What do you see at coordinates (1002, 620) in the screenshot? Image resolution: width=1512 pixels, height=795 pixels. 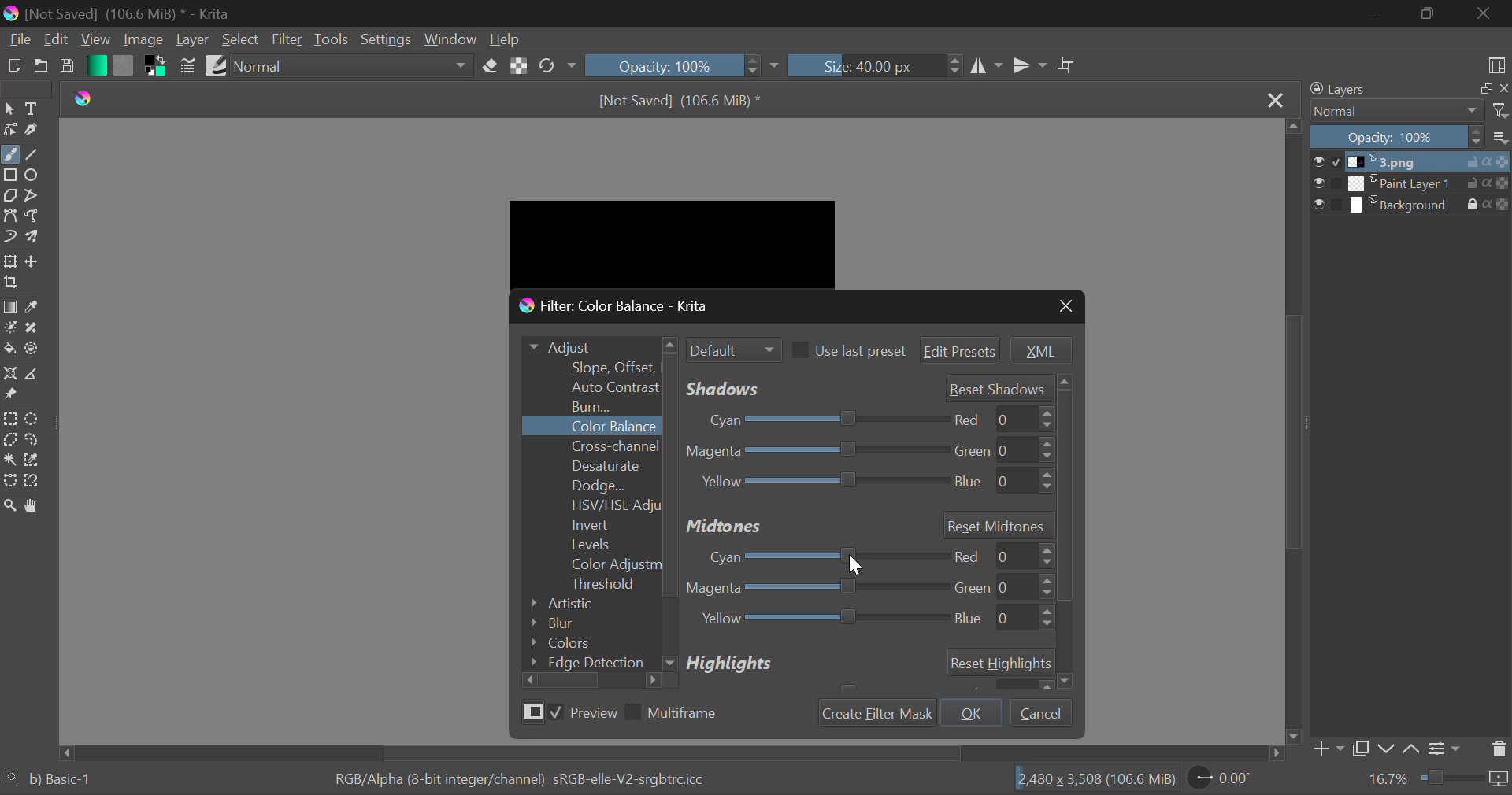 I see `blue` at bounding box center [1002, 620].